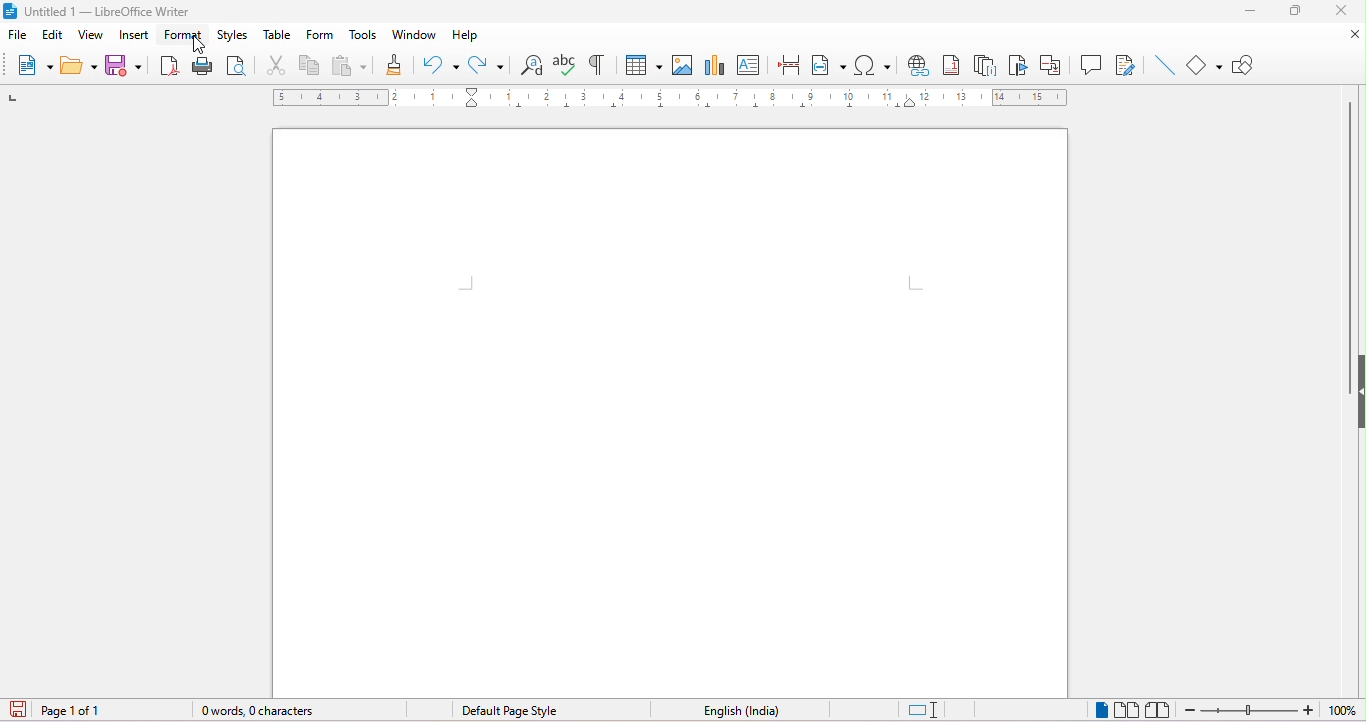 The width and height of the screenshot is (1366, 722). What do you see at coordinates (1131, 706) in the screenshot?
I see `multiple page view` at bounding box center [1131, 706].